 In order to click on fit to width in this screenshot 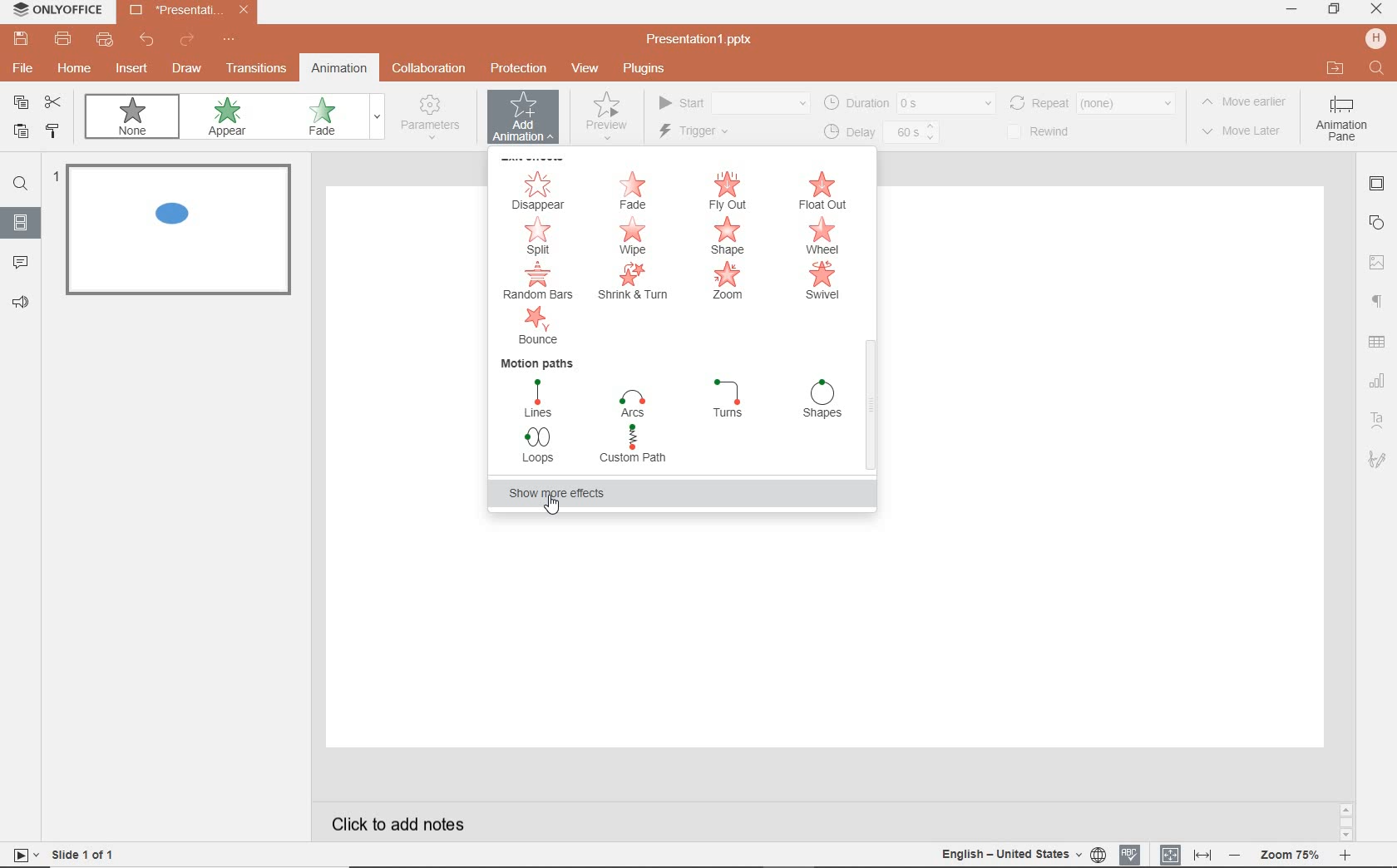, I will do `click(1204, 853)`.